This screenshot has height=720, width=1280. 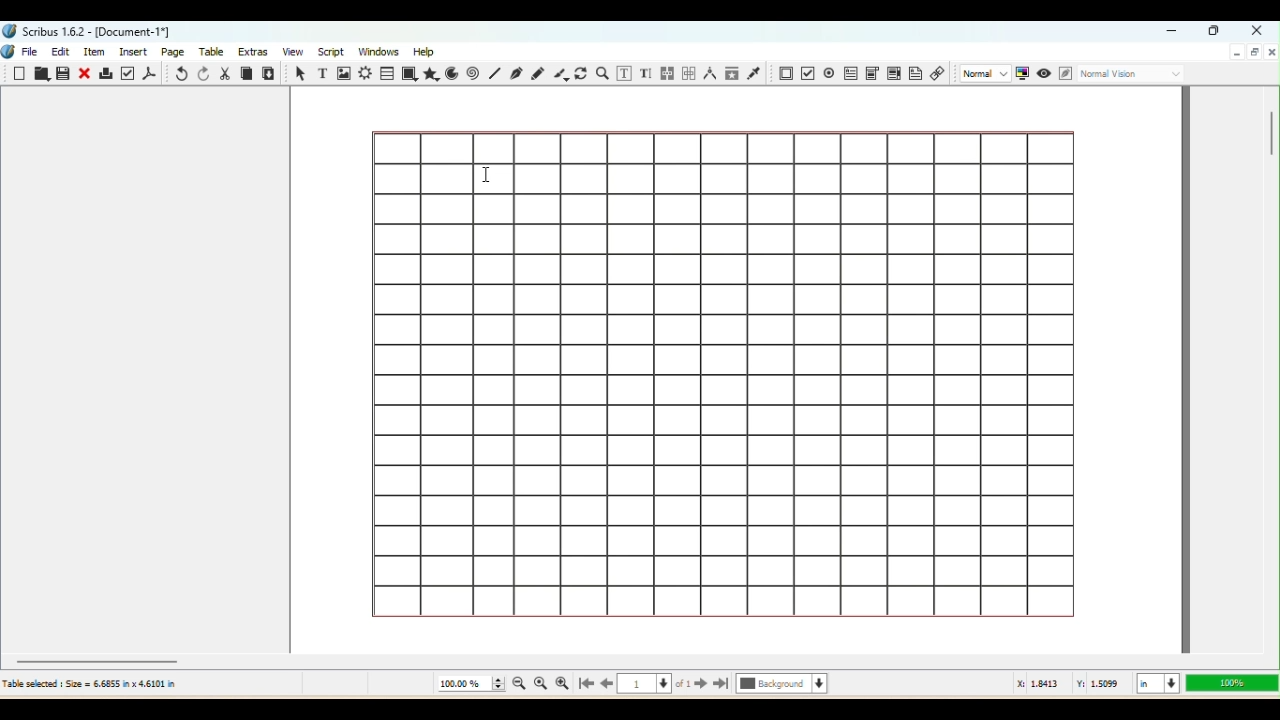 I want to click on Link annotation, so click(x=938, y=75).